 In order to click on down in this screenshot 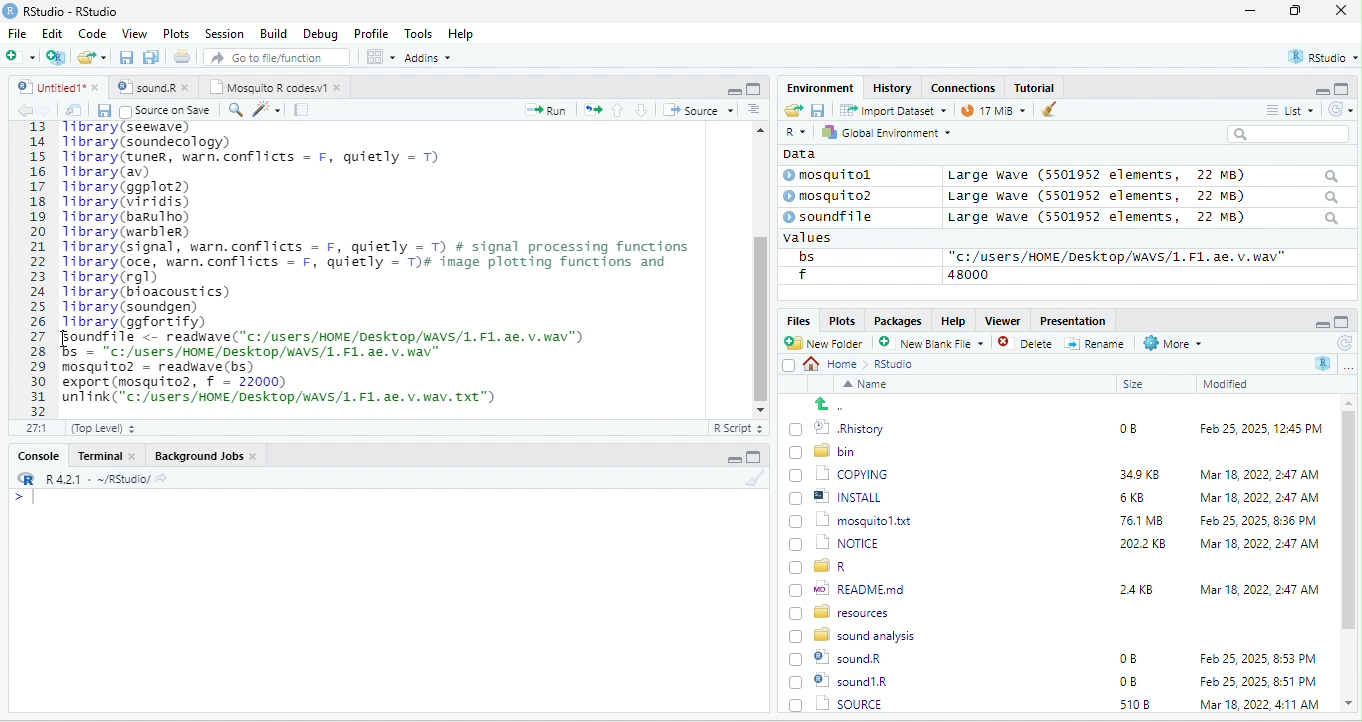, I will do `click(642, 109)`.